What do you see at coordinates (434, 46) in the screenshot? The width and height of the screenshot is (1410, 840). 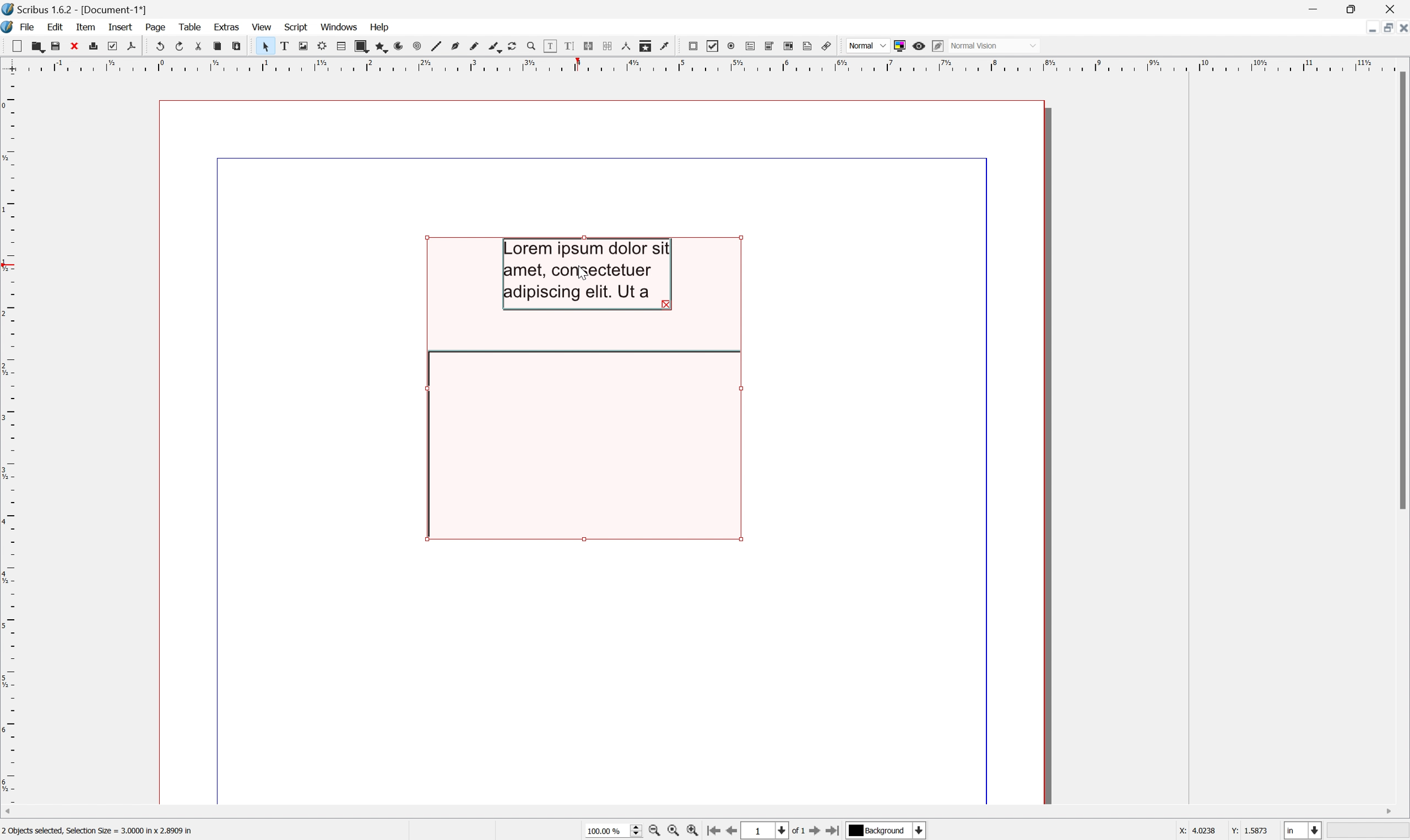 I see `Line` at bounding box center [434, 46].